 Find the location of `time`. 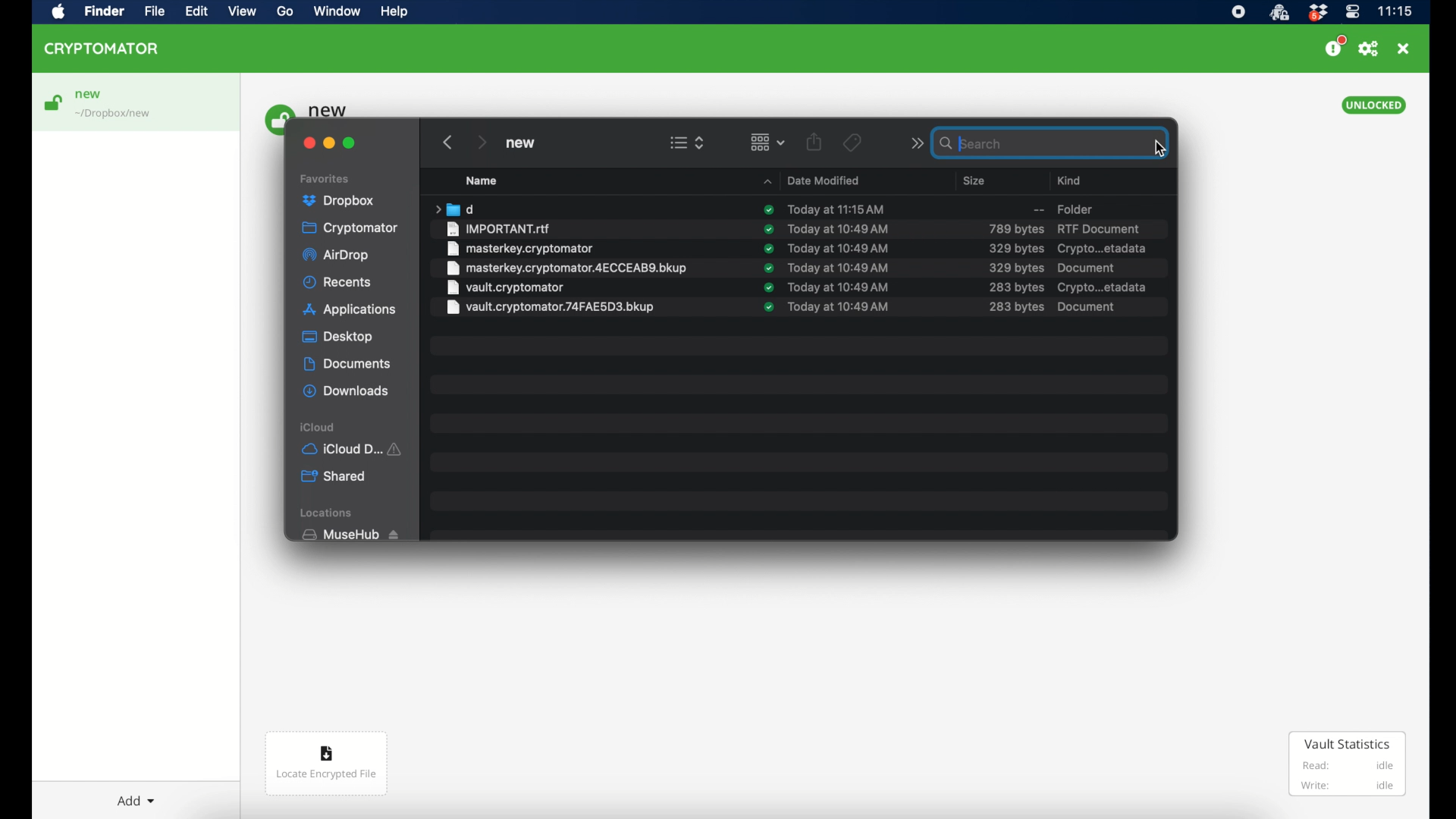

time is located at coordinates (1395, 11).